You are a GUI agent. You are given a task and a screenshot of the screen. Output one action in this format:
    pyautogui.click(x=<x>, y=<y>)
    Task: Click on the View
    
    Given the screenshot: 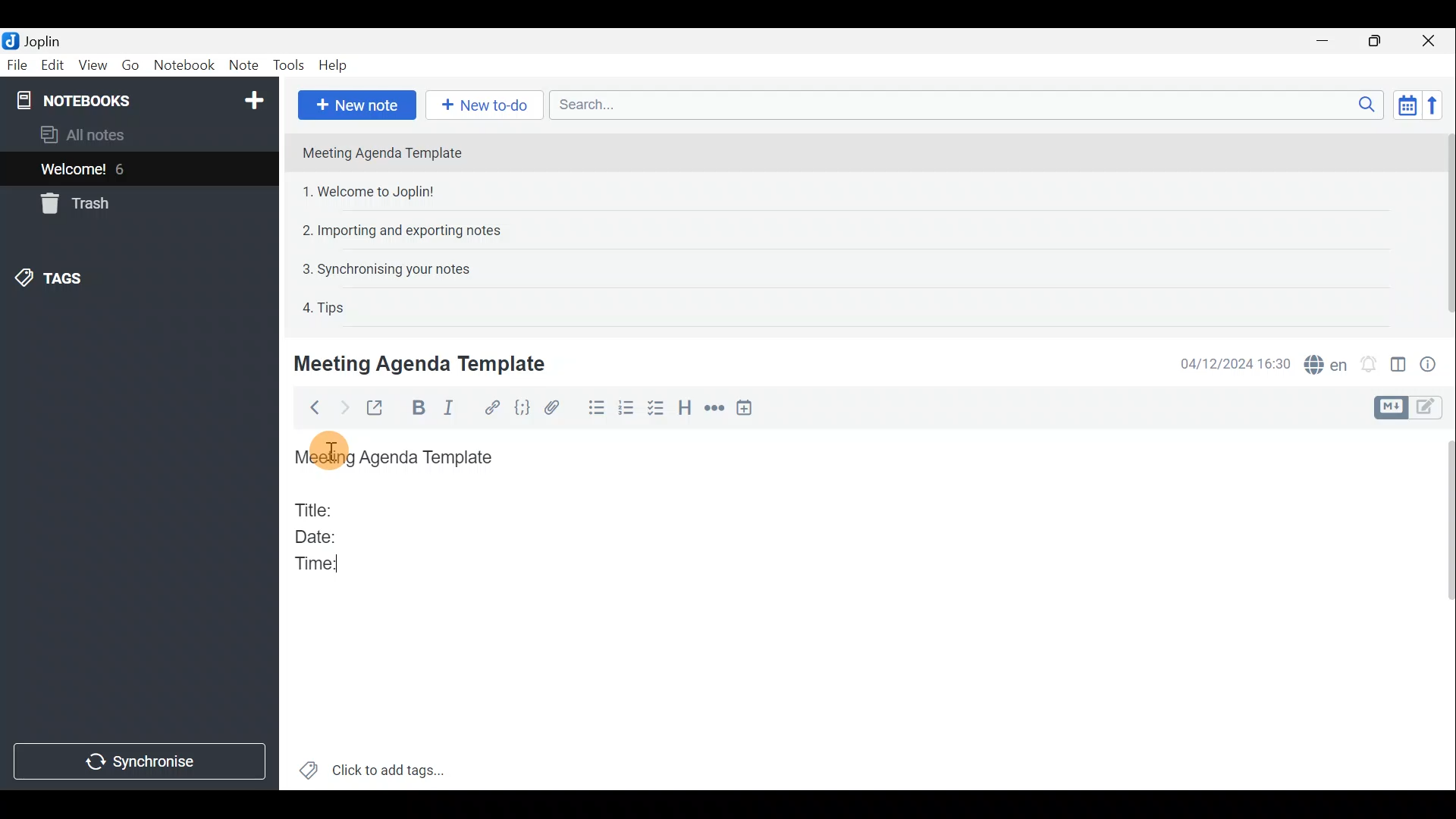 What is the action you would take?
    pyautogui.click(x=90, y=67)
    